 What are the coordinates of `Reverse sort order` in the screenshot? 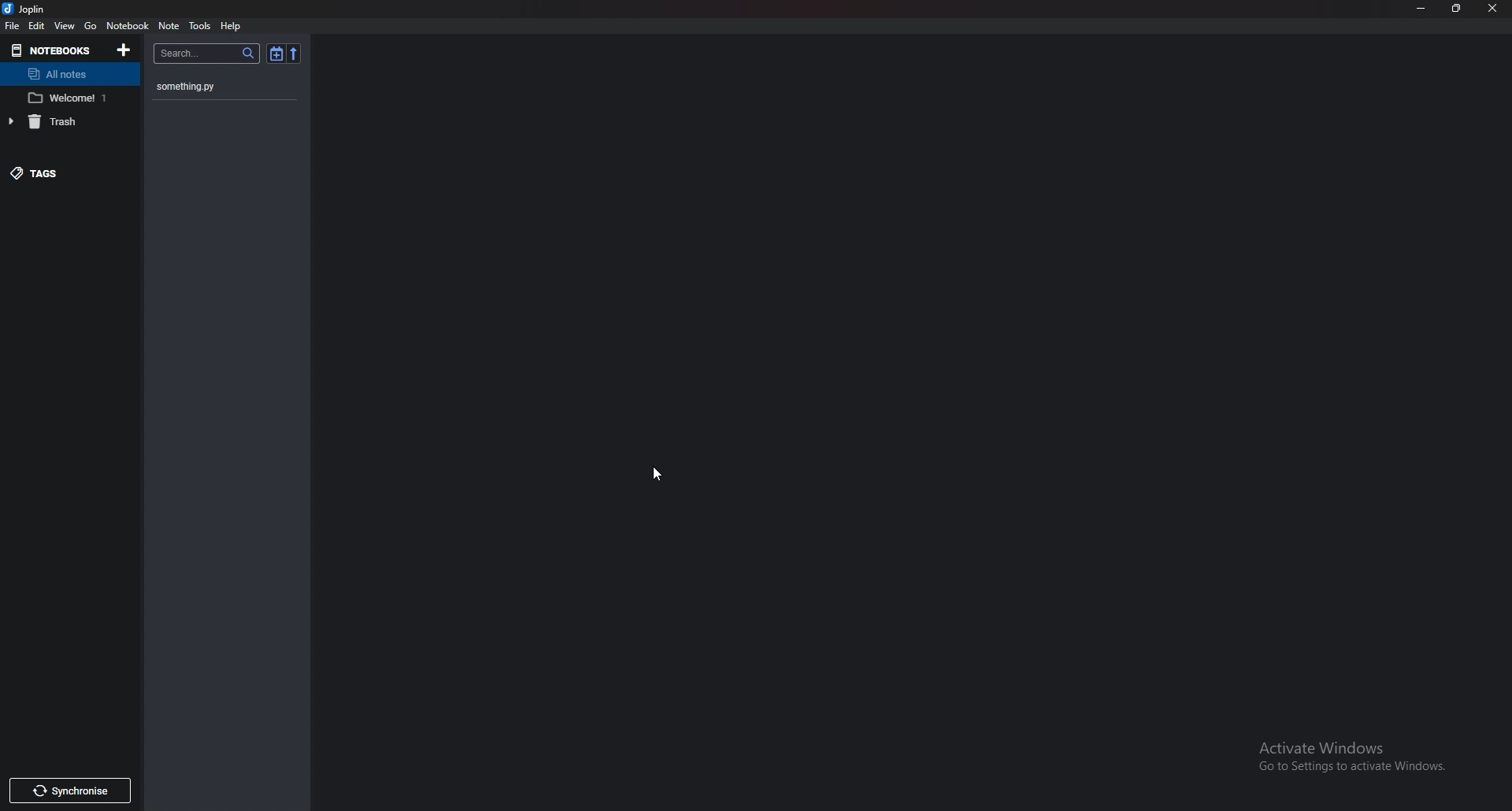 It's located at (295, 53).